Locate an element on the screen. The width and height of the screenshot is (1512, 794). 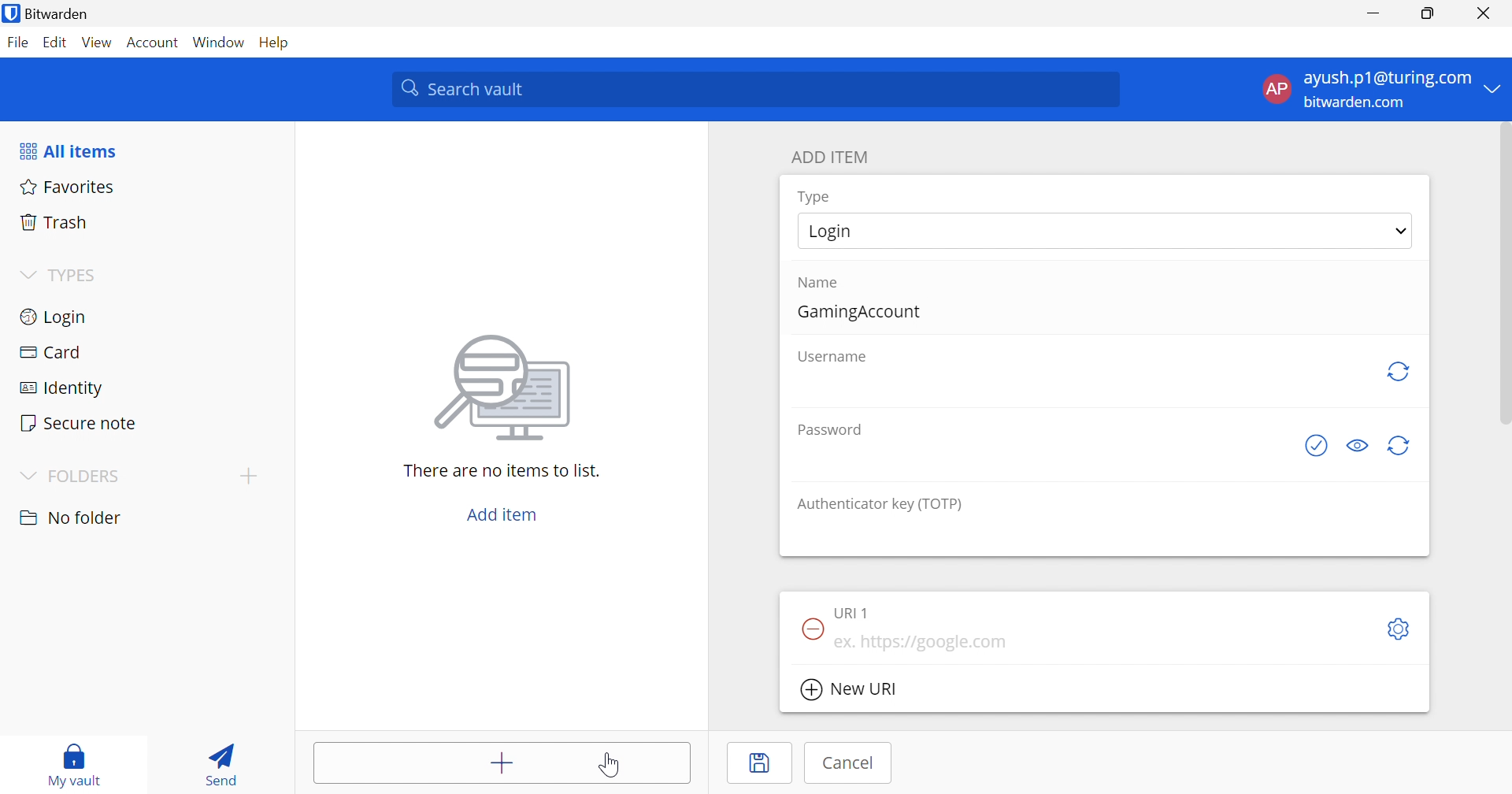
View is located at coordinates (100, 43).